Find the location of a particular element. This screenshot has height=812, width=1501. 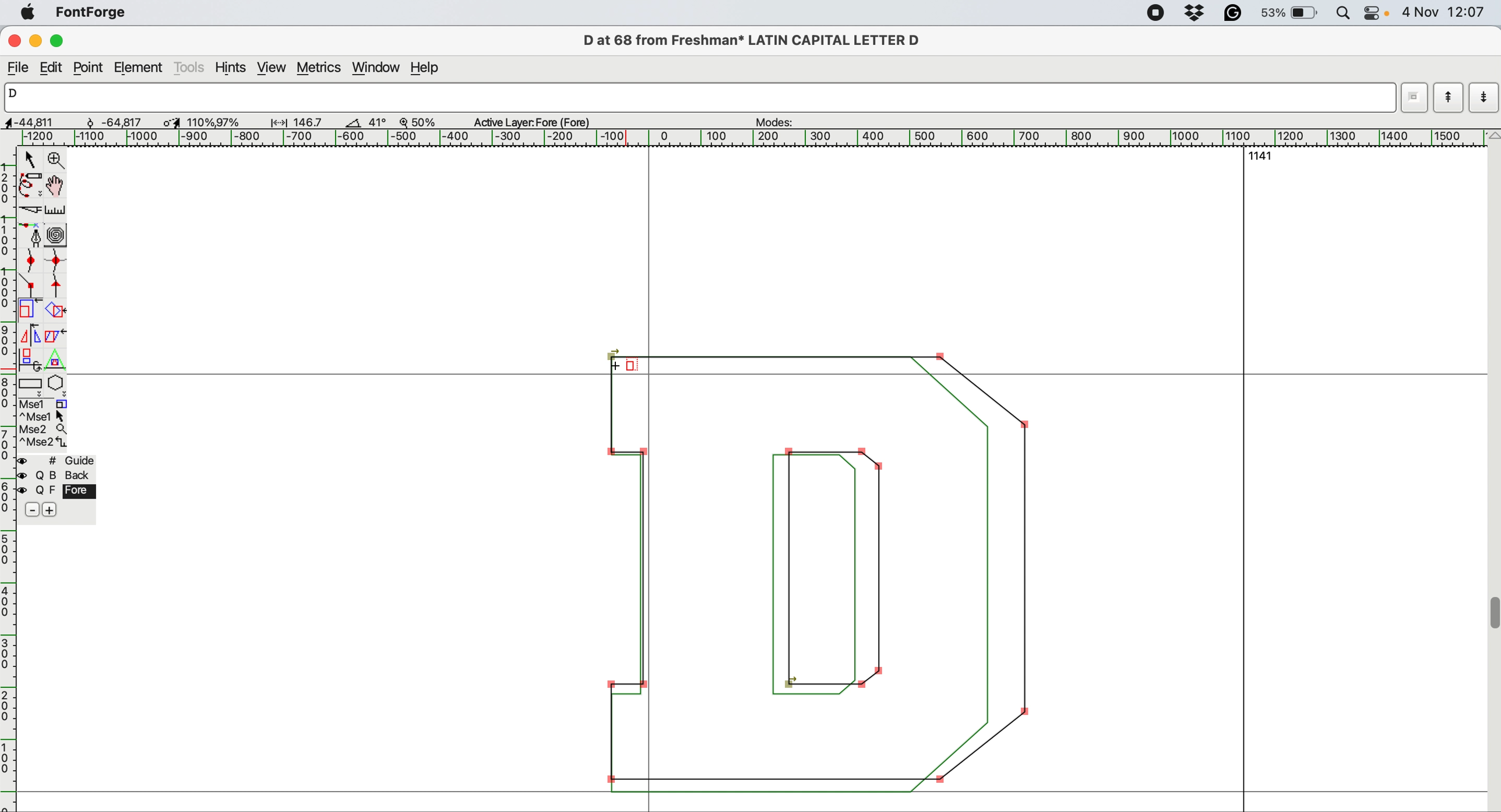

battery is located at coordinates (1291, 13).